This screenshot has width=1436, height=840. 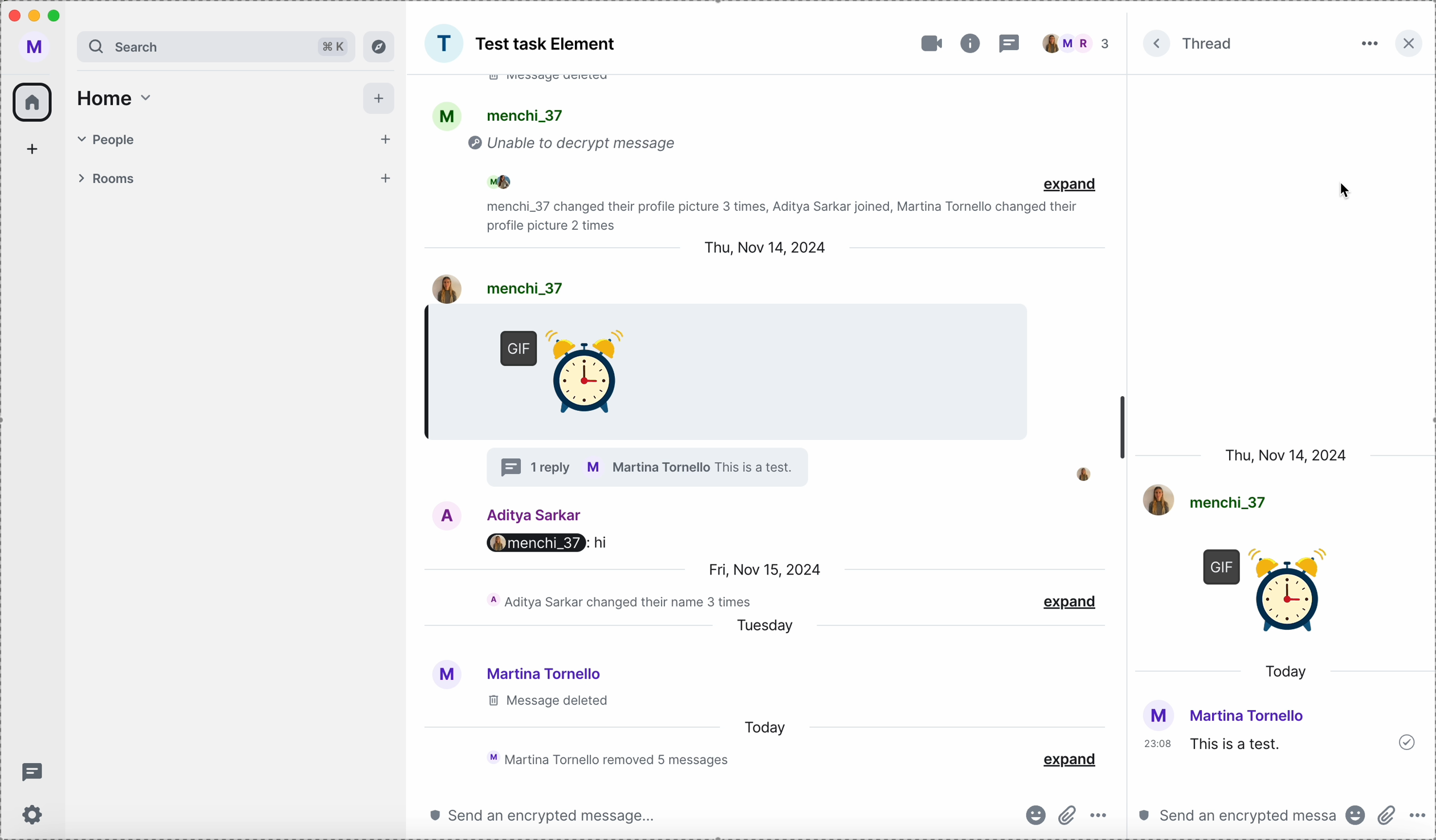 What do you see at coordinates (35, 816) in the screenshot?
I see `settings` at bounding box center [35, 816].